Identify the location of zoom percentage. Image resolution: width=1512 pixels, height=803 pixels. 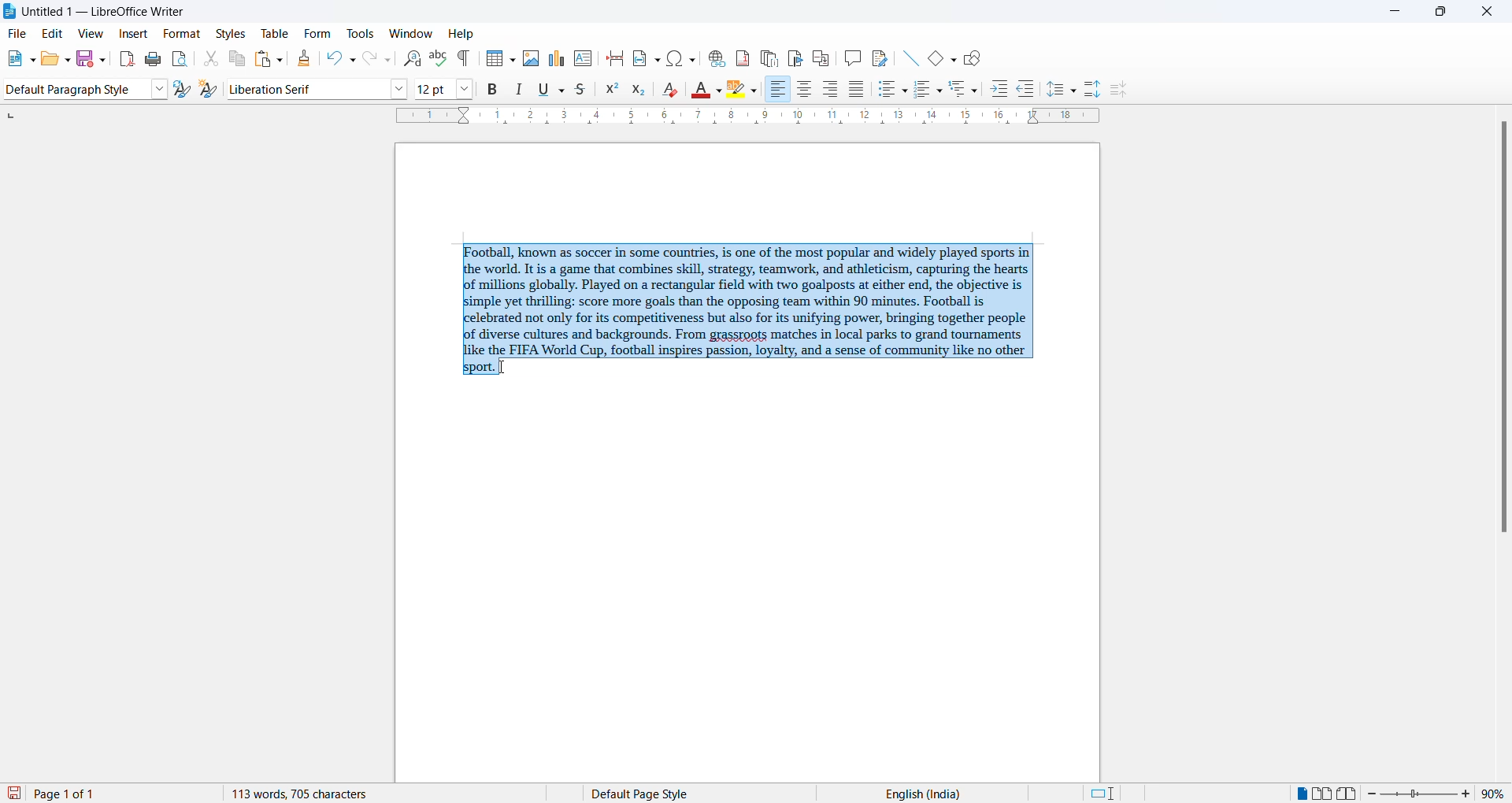
(1497, 793).